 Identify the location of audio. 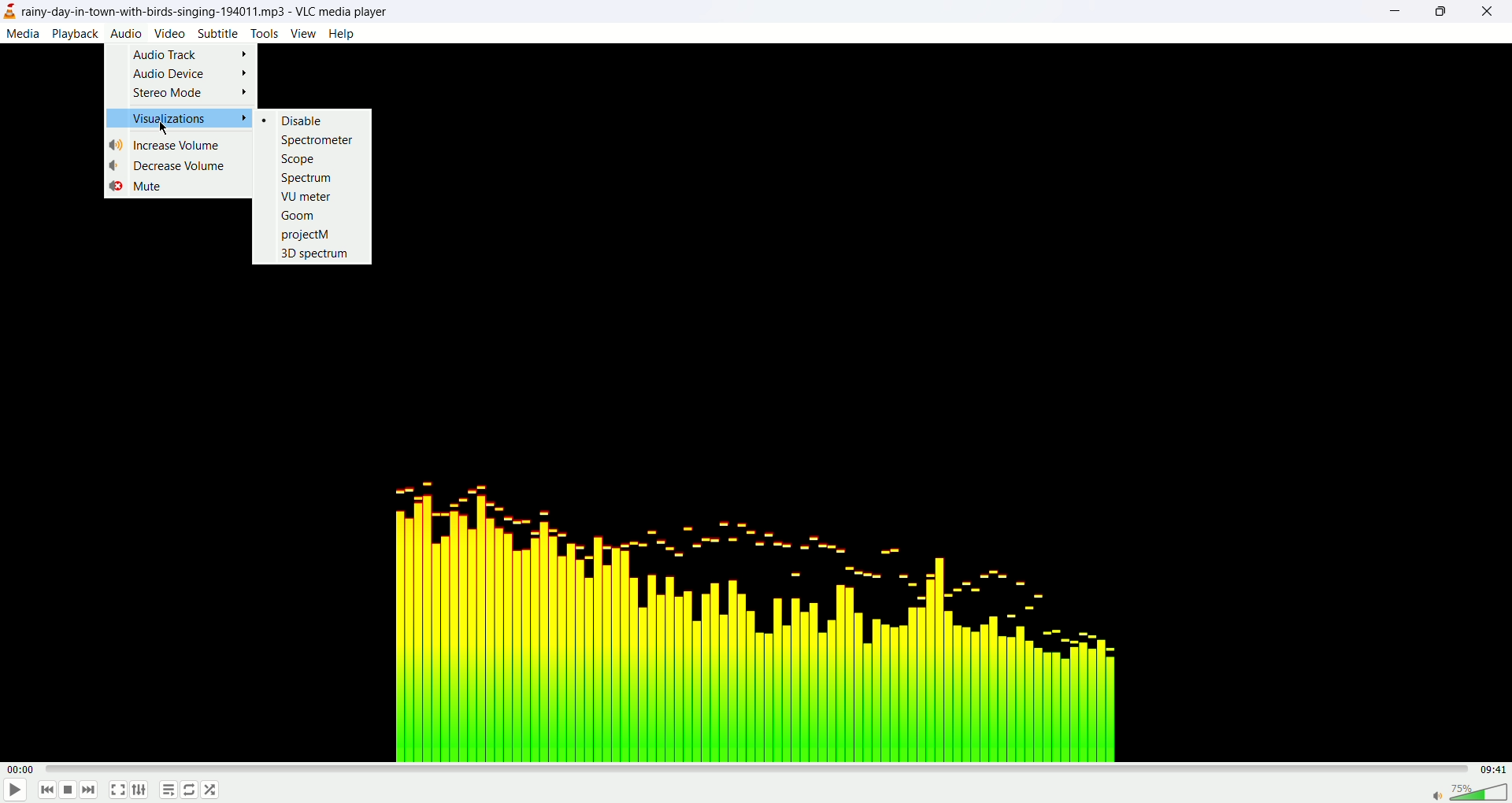
(128, 34).